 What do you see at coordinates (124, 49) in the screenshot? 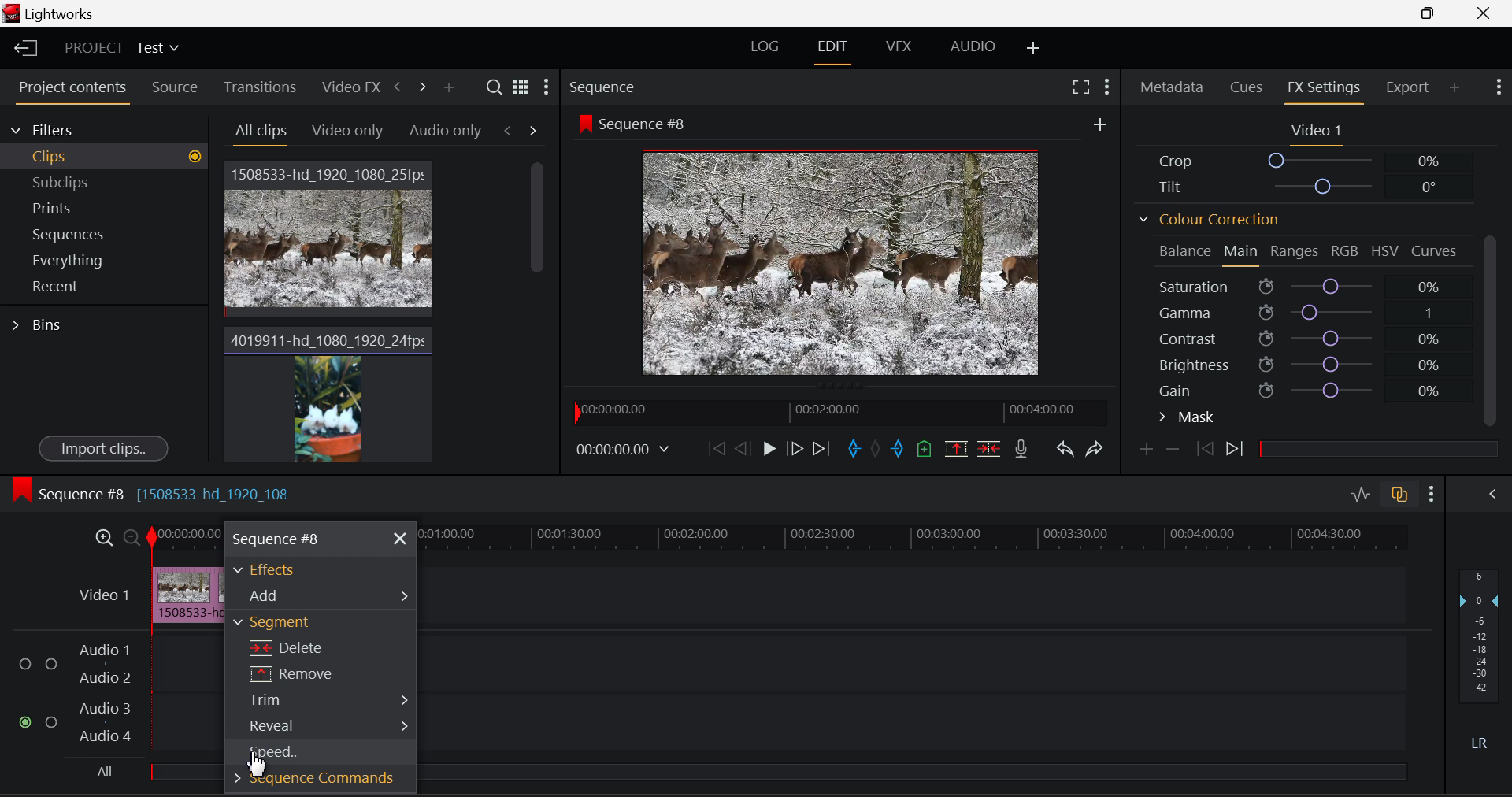
I see `Project Title` at bounding box center [124, 49].